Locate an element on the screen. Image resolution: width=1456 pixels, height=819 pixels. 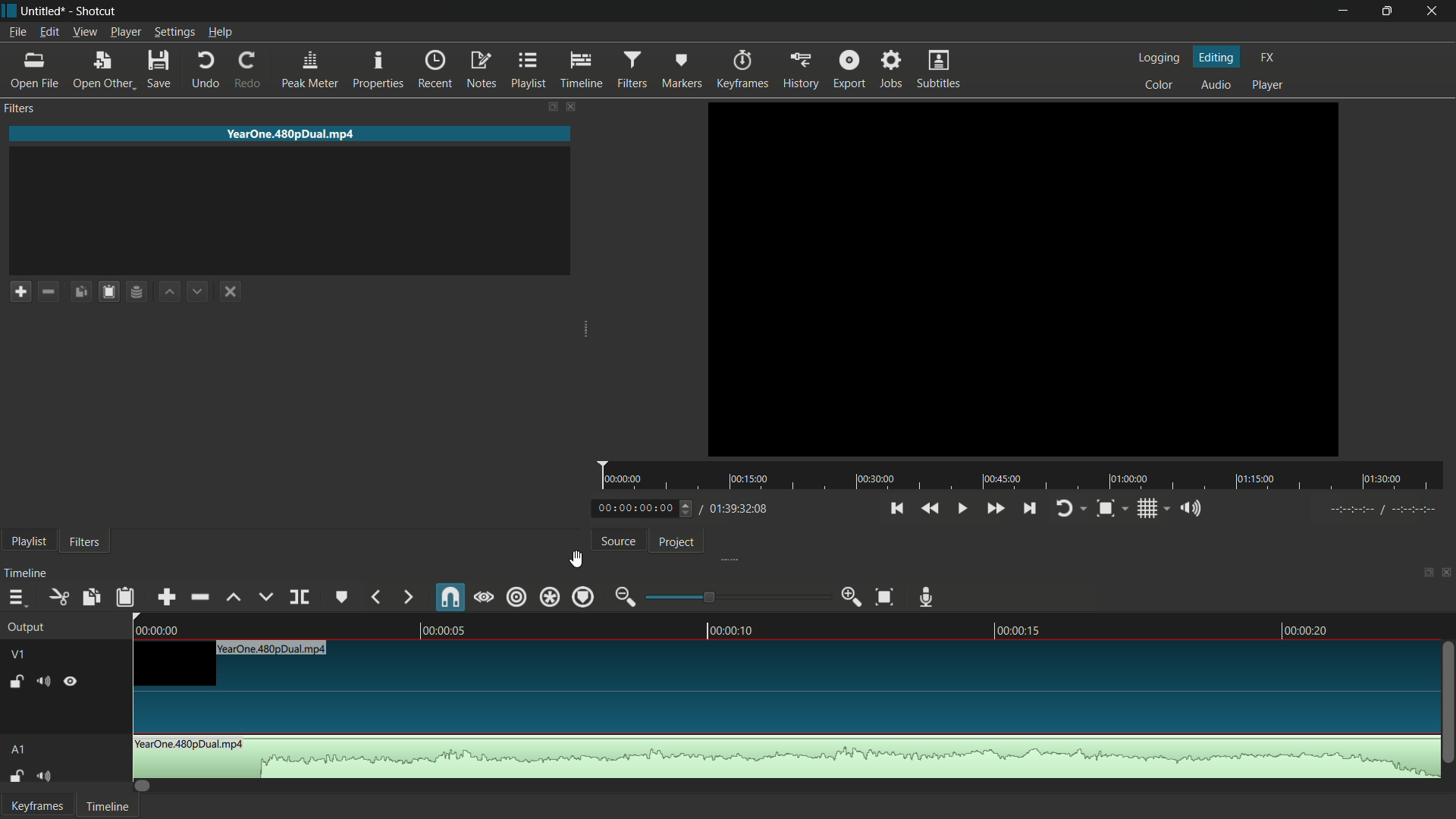
subtitles is located at coordinates (940, 68).